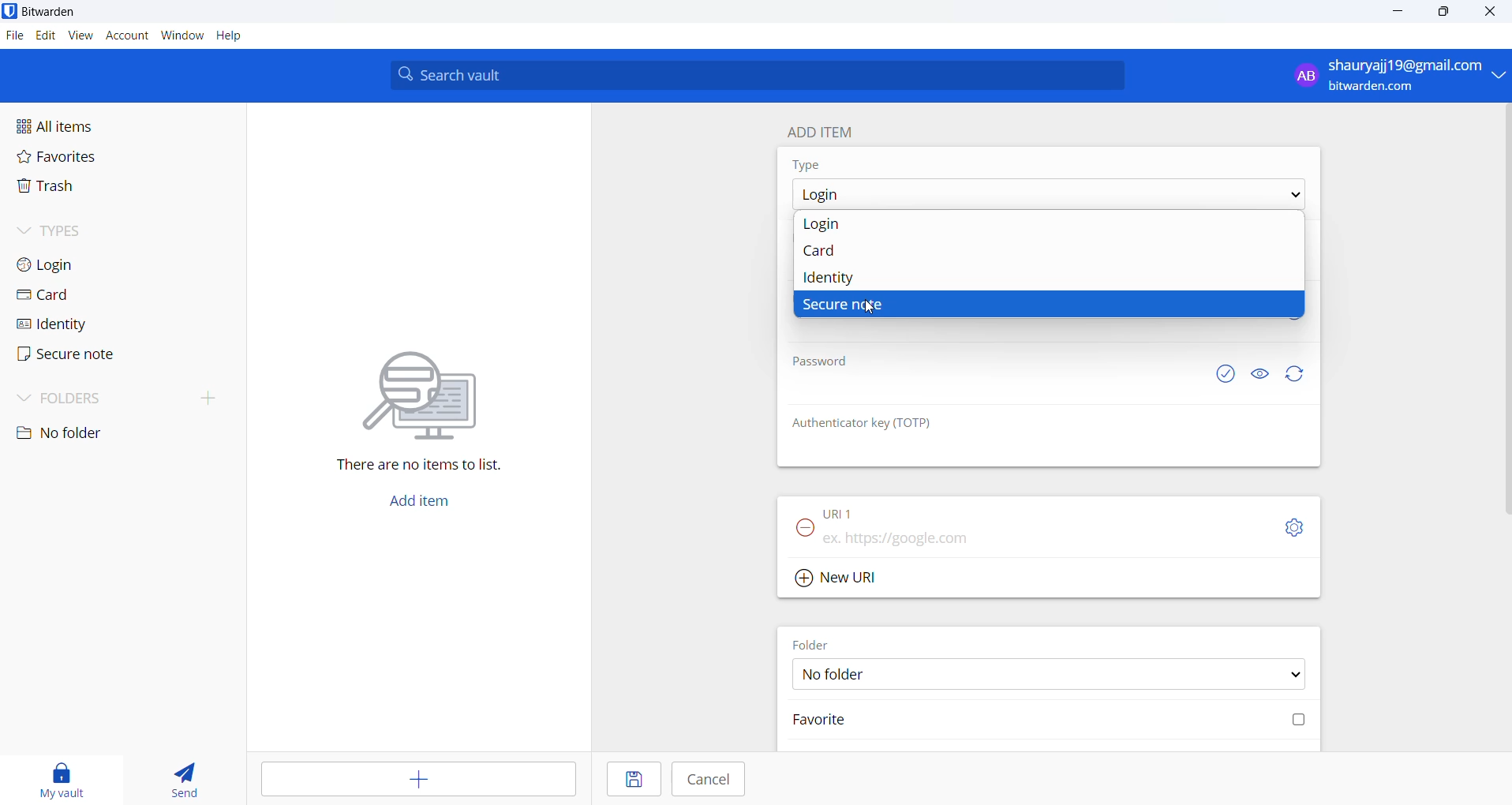 The height and width of the screenshot is (805, 1512). What do you see at coordinates (182, 36) in the screenshot?
I see `window` at bounding box center [182, 36].